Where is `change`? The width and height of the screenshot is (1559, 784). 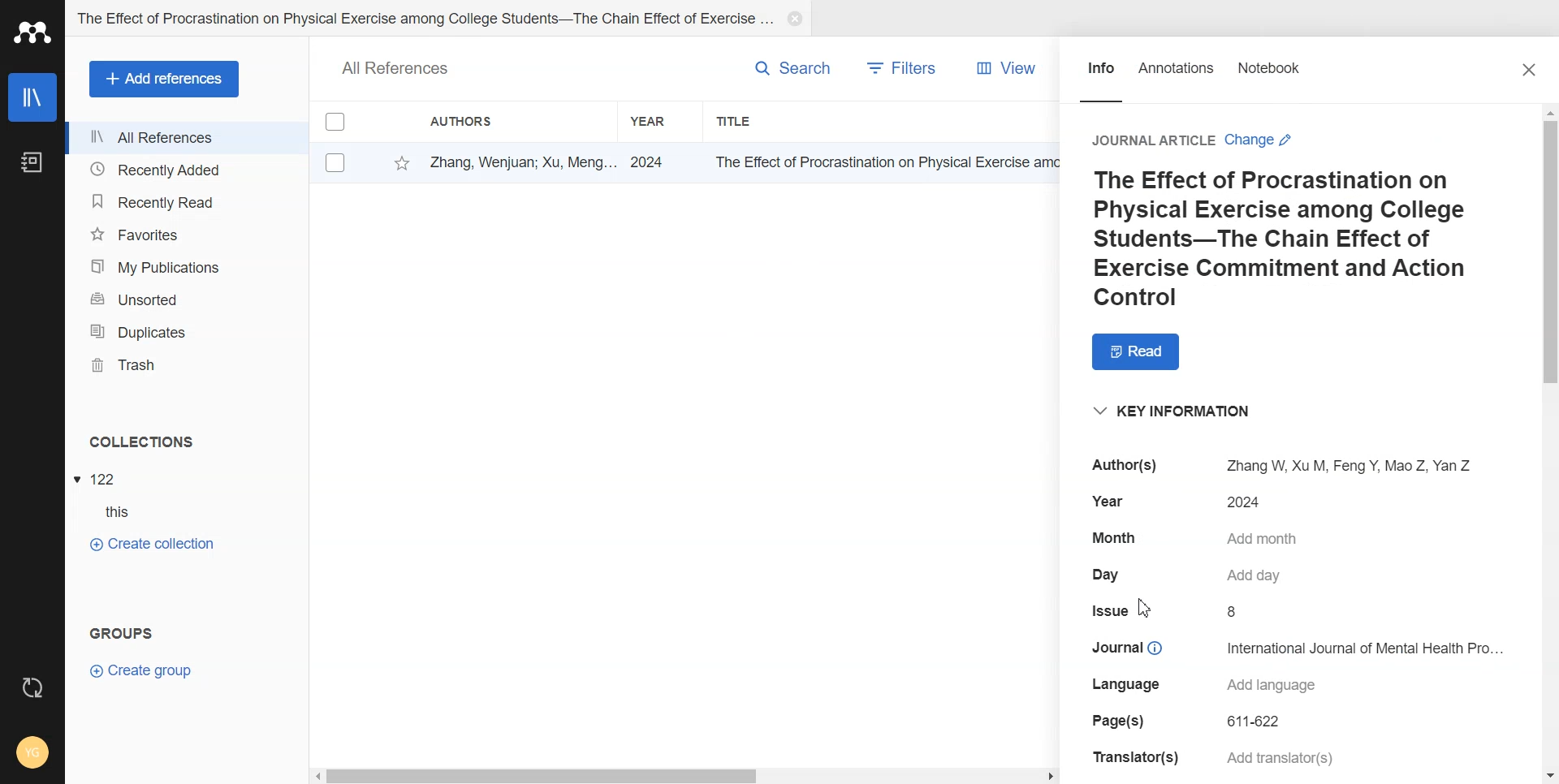 change is located at coordinates (1259, 140).